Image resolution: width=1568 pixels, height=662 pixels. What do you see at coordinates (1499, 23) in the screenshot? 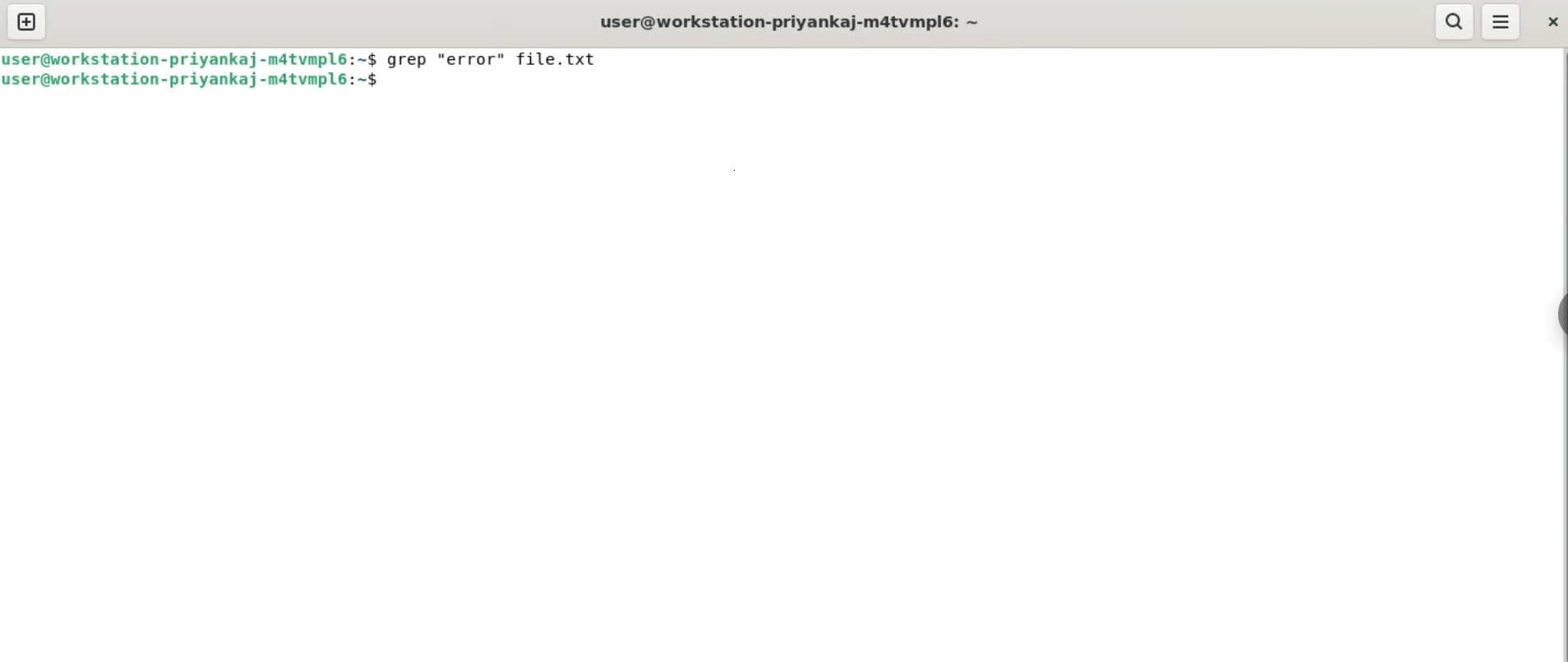
I see `menu` at bounding box center [1499, 23].